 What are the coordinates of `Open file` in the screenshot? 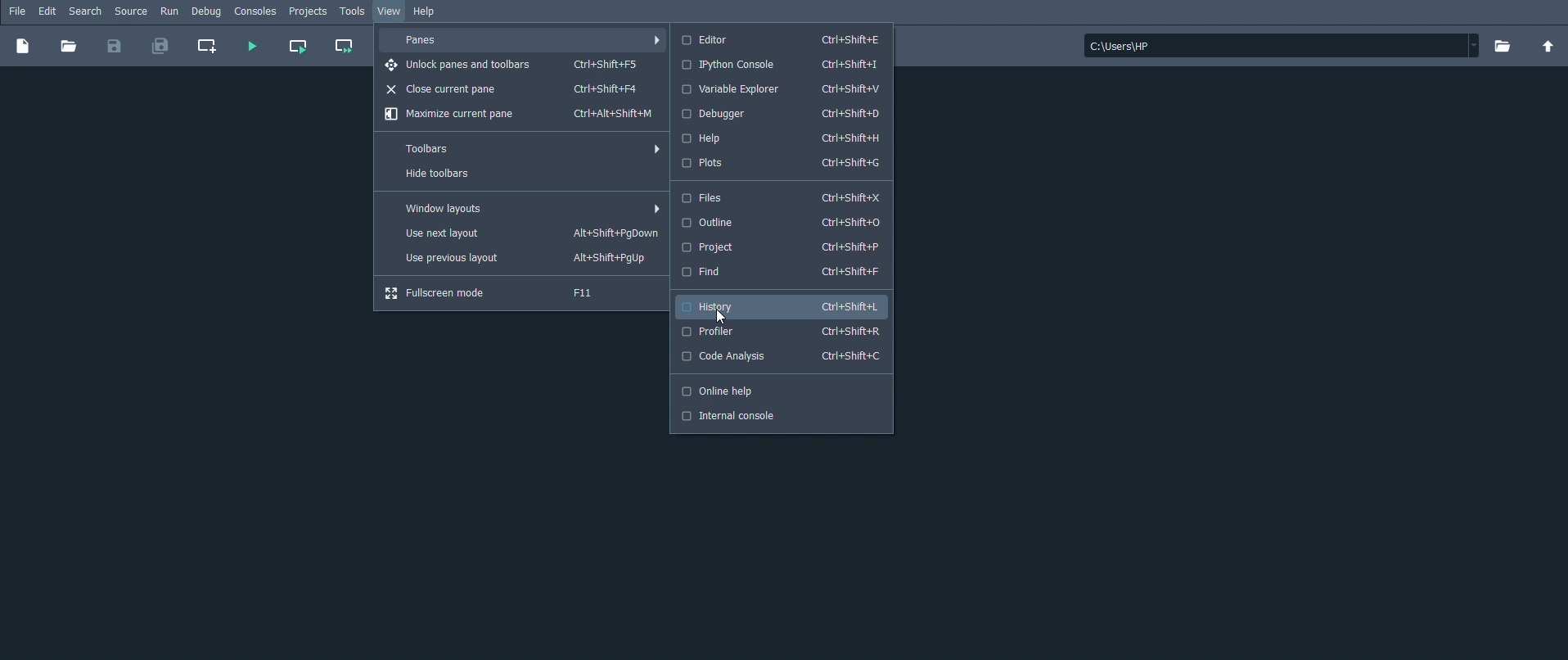 It's located at (69, 47).